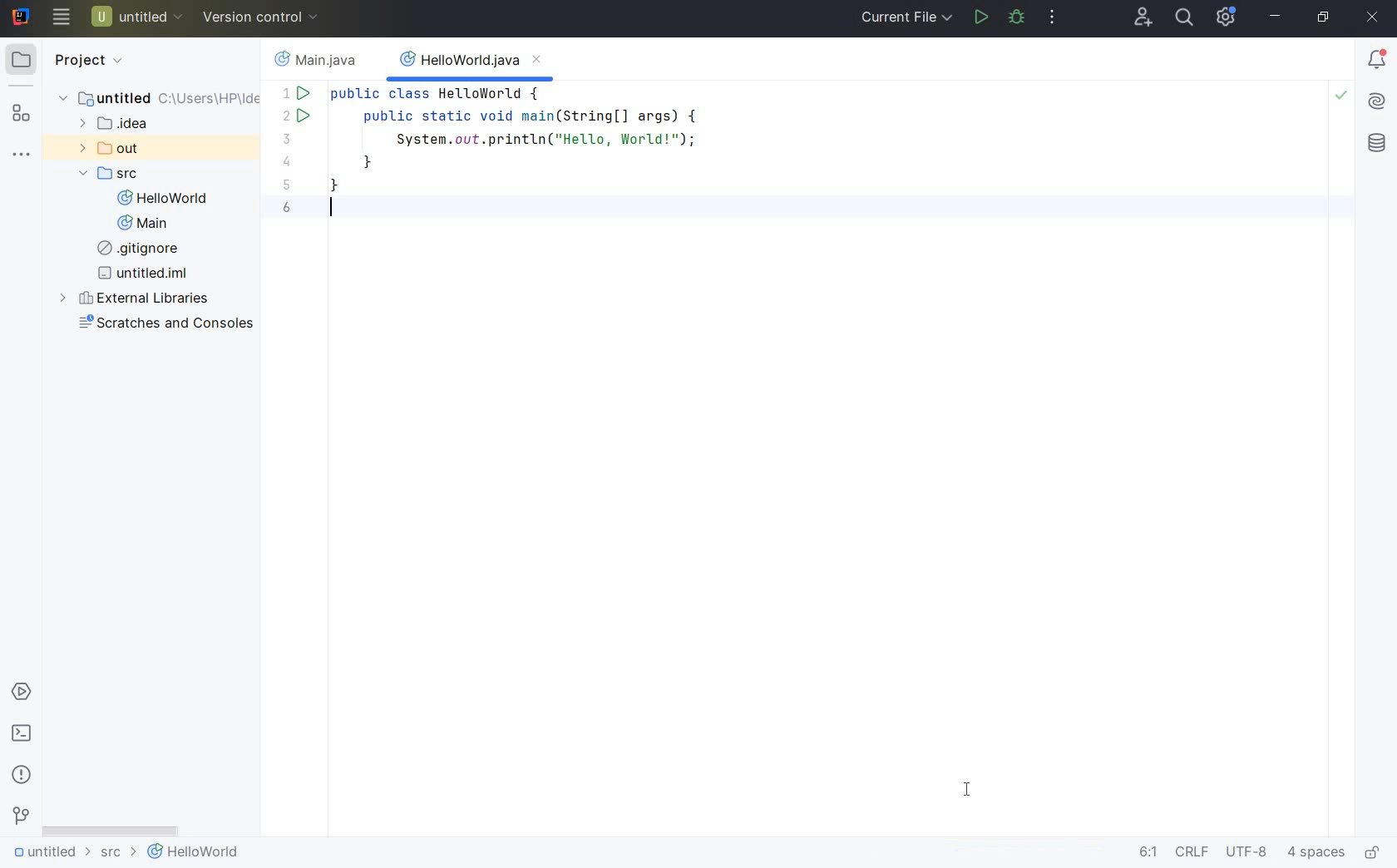  Describe the element at coordinates (1374, 18) in the screenshot. I see `close` at that location.